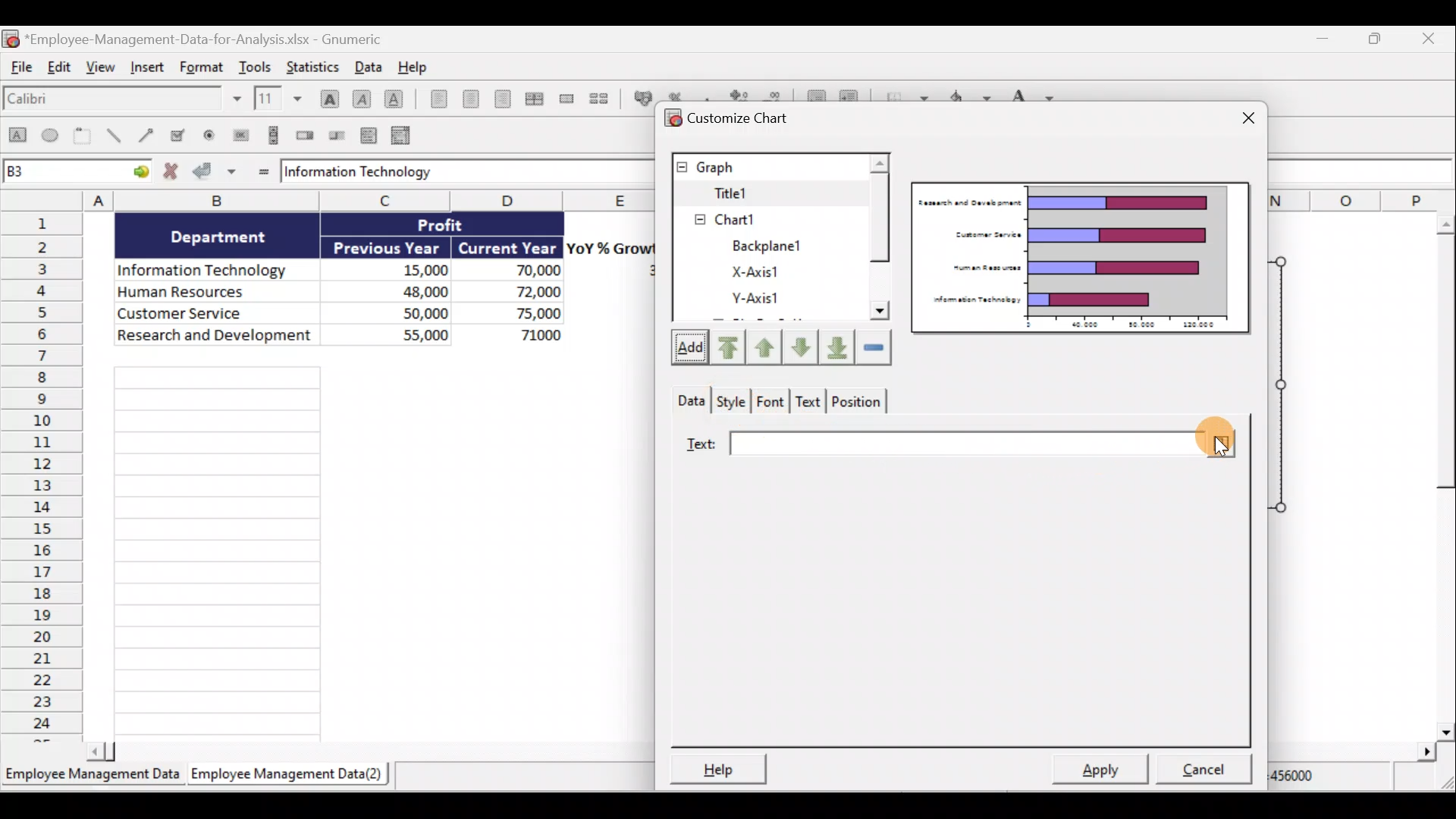 Image resolution: width=1456 pixels, height=819 pixels. What do you see at coordinates (199, 68) in the screenshot?
I see `Format` at bounding box center [199, 68].